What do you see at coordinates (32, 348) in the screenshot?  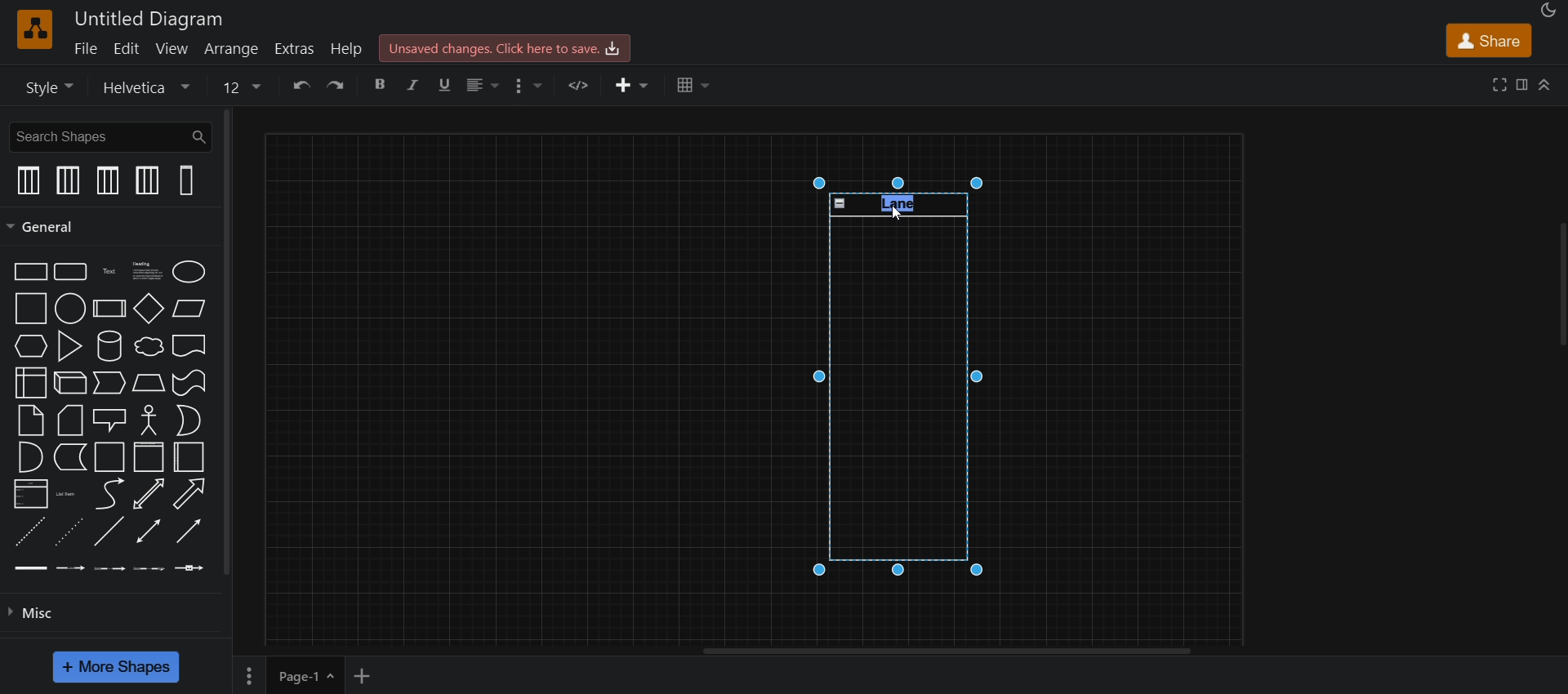 I see `hexagon` at bounding box center [32, 348].